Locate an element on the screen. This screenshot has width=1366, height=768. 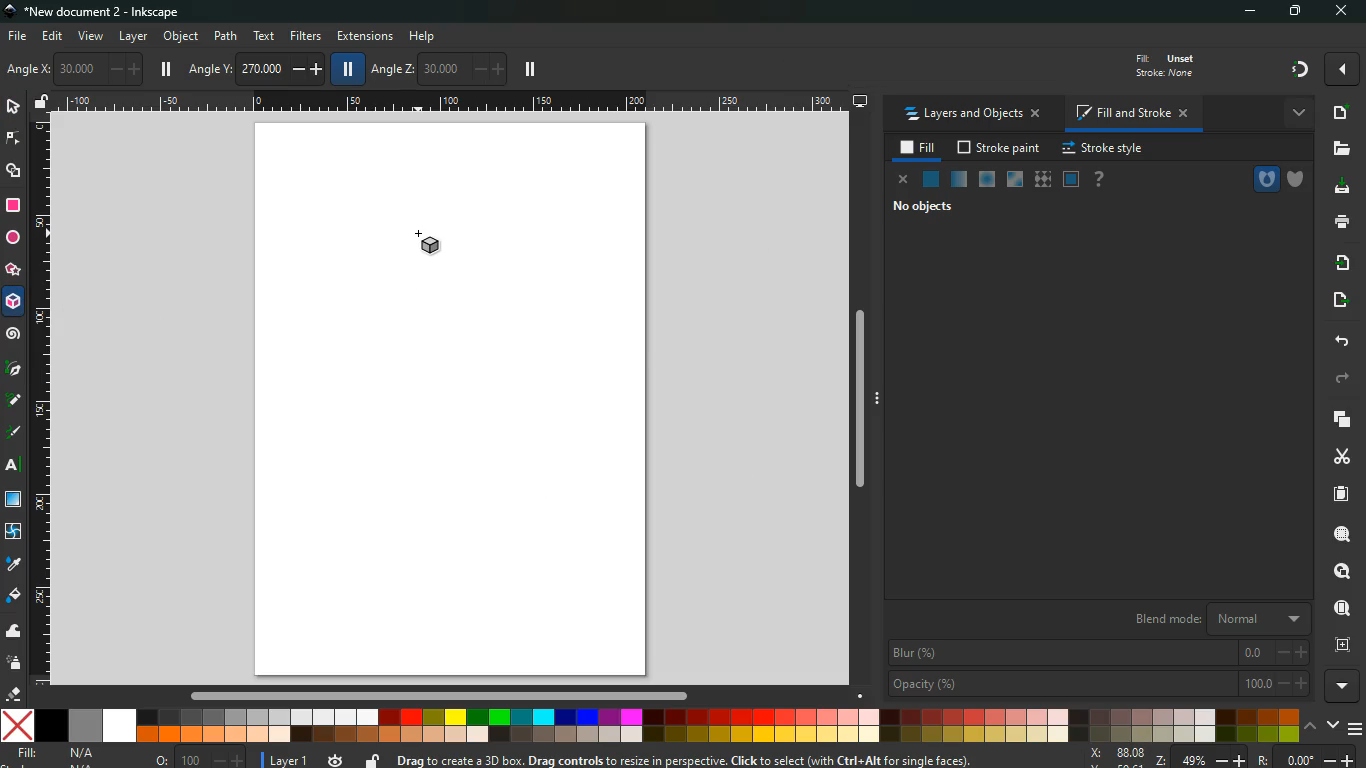
filters is located at coordinates (306, 35).